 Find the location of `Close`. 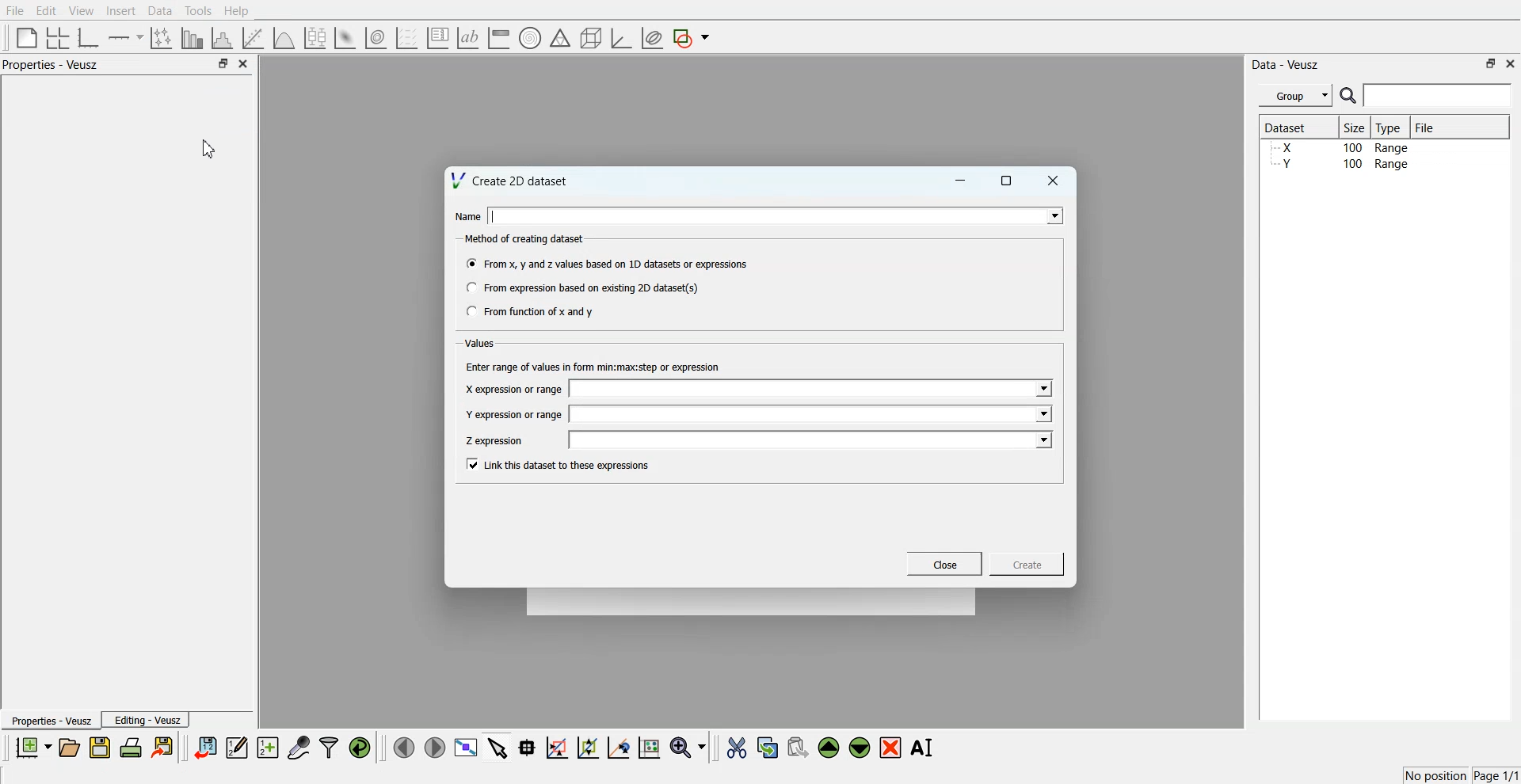

Close is located at coordinates (244, 63).